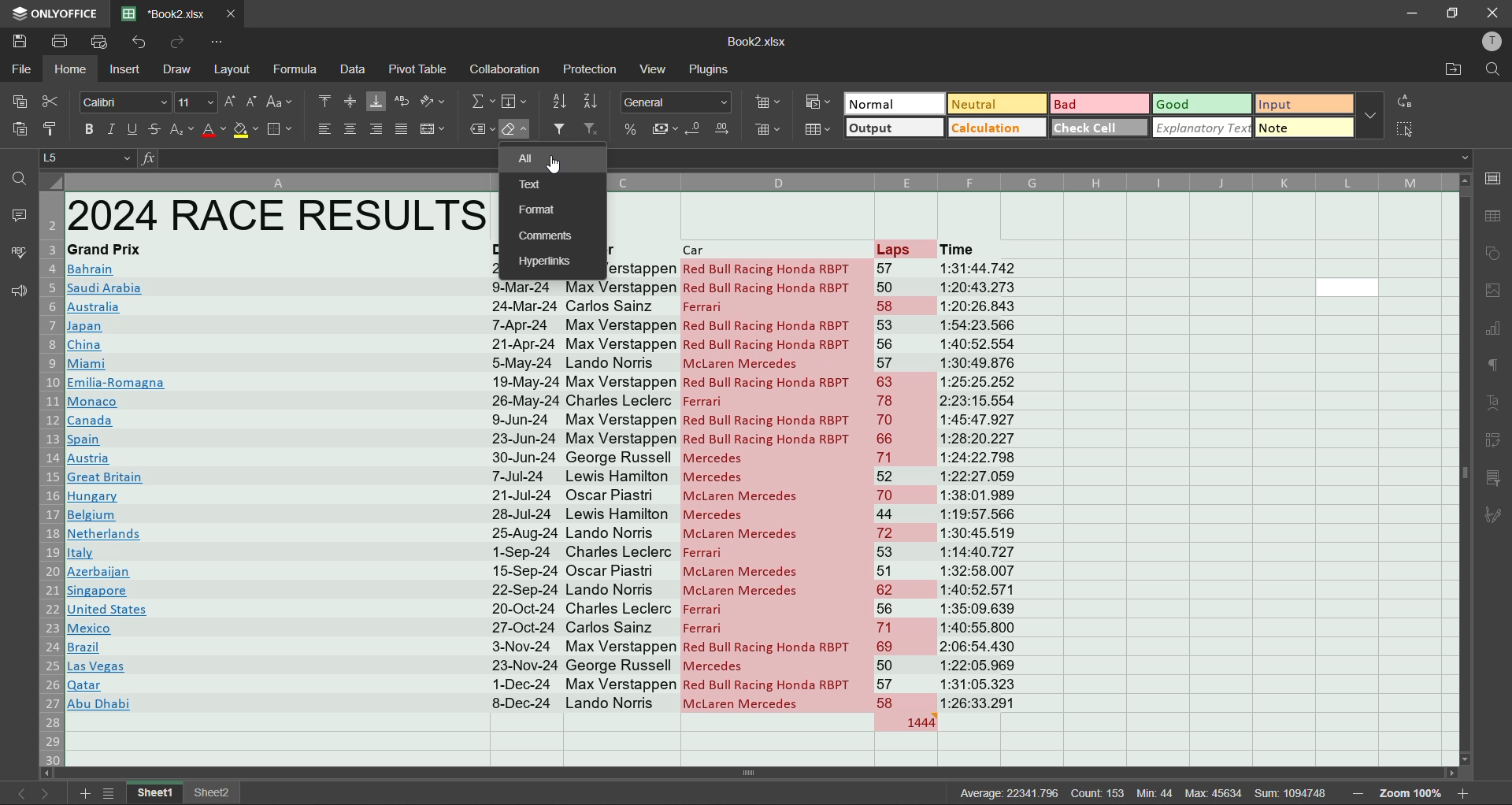  I want to click on next, so click(48, 793).